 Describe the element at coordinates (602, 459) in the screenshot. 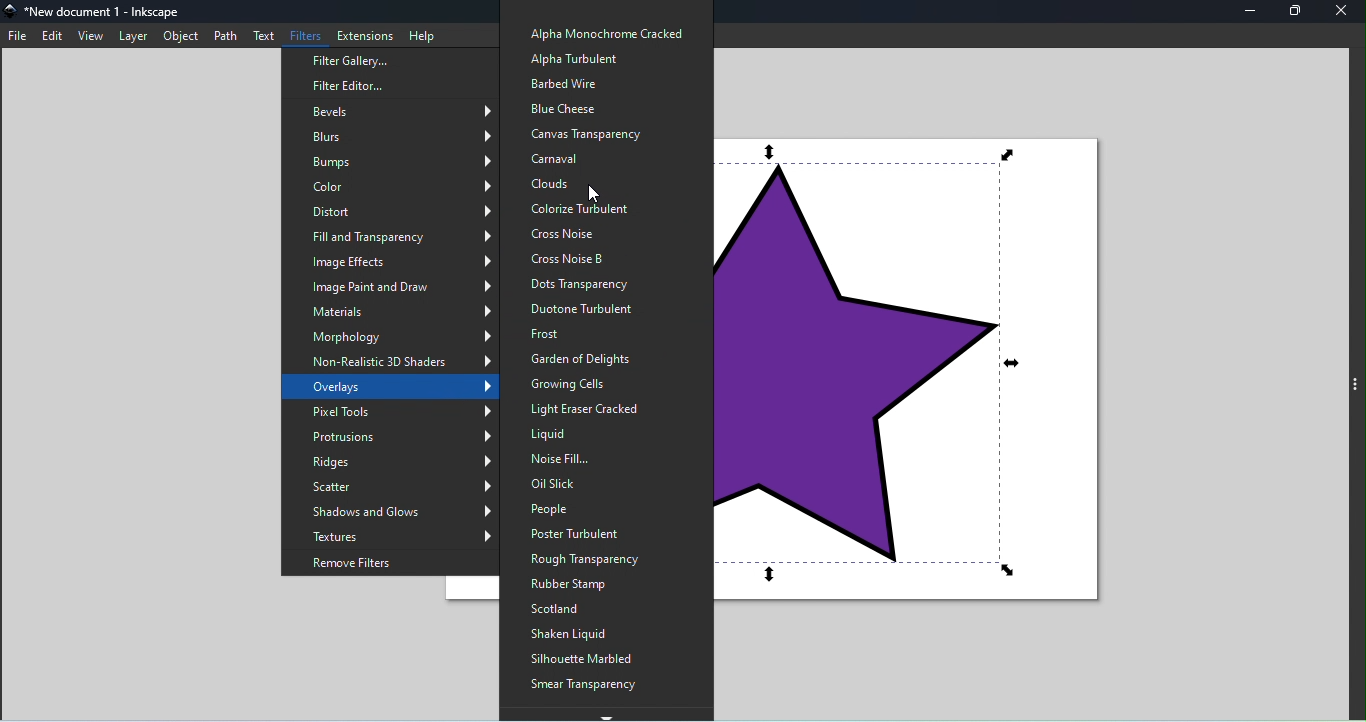

I see `Noise fill` at that location.